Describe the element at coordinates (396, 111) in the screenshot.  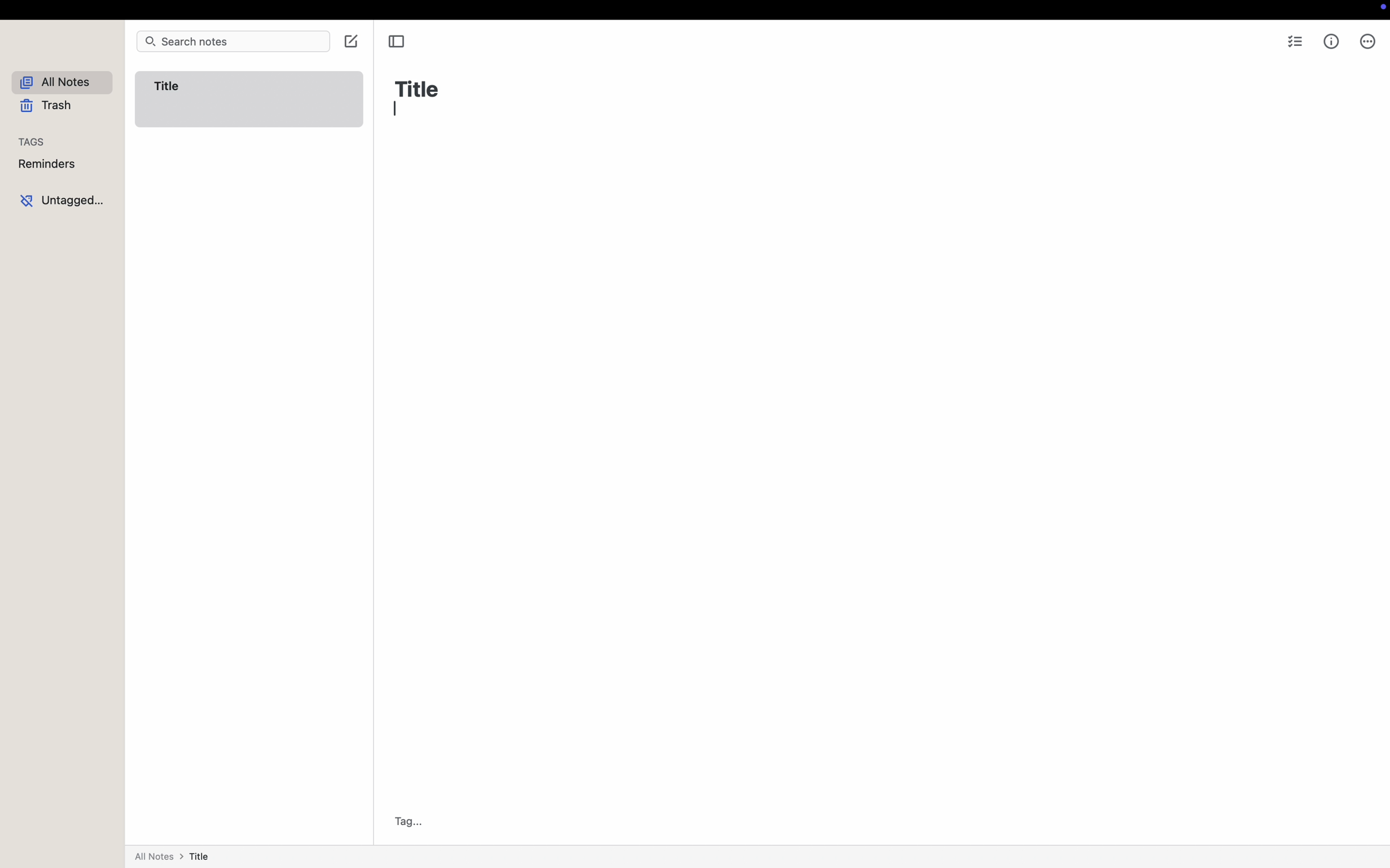
I see `Typing cursor` at that location.